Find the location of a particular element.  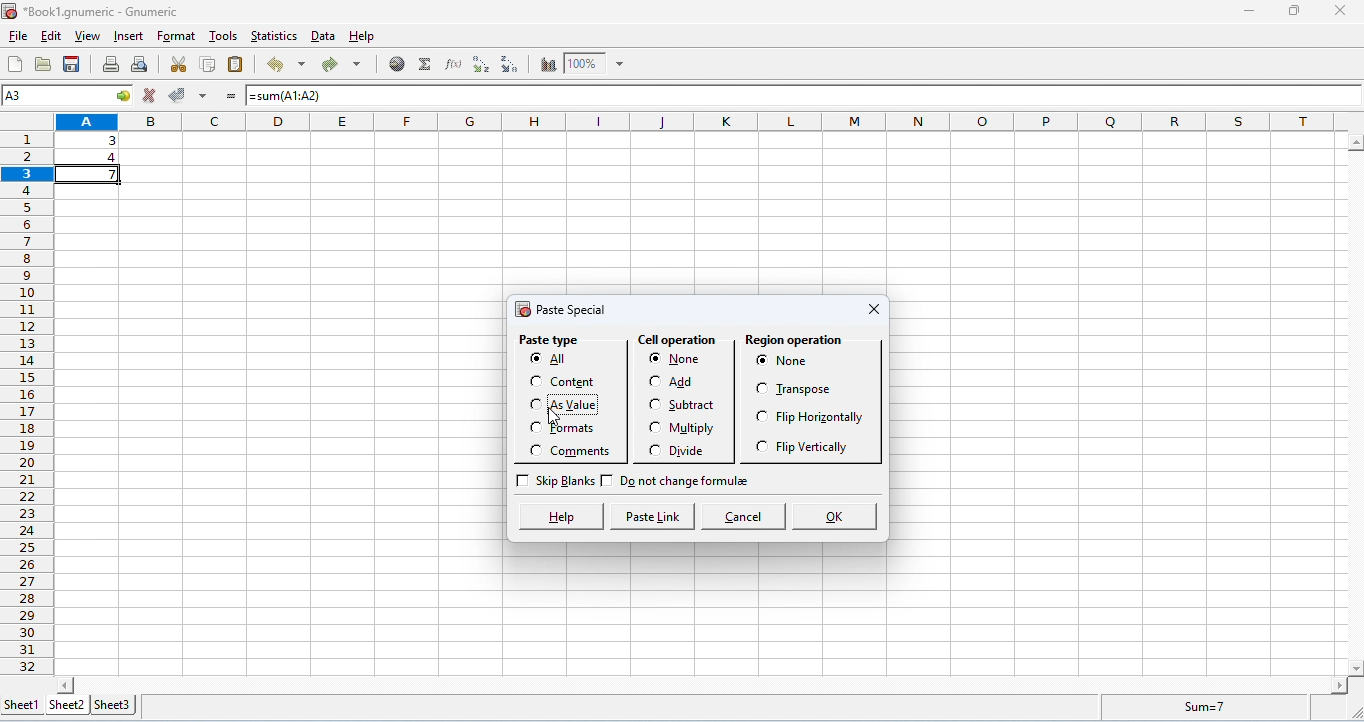

sort ascending is located at coordinates (483, 64).